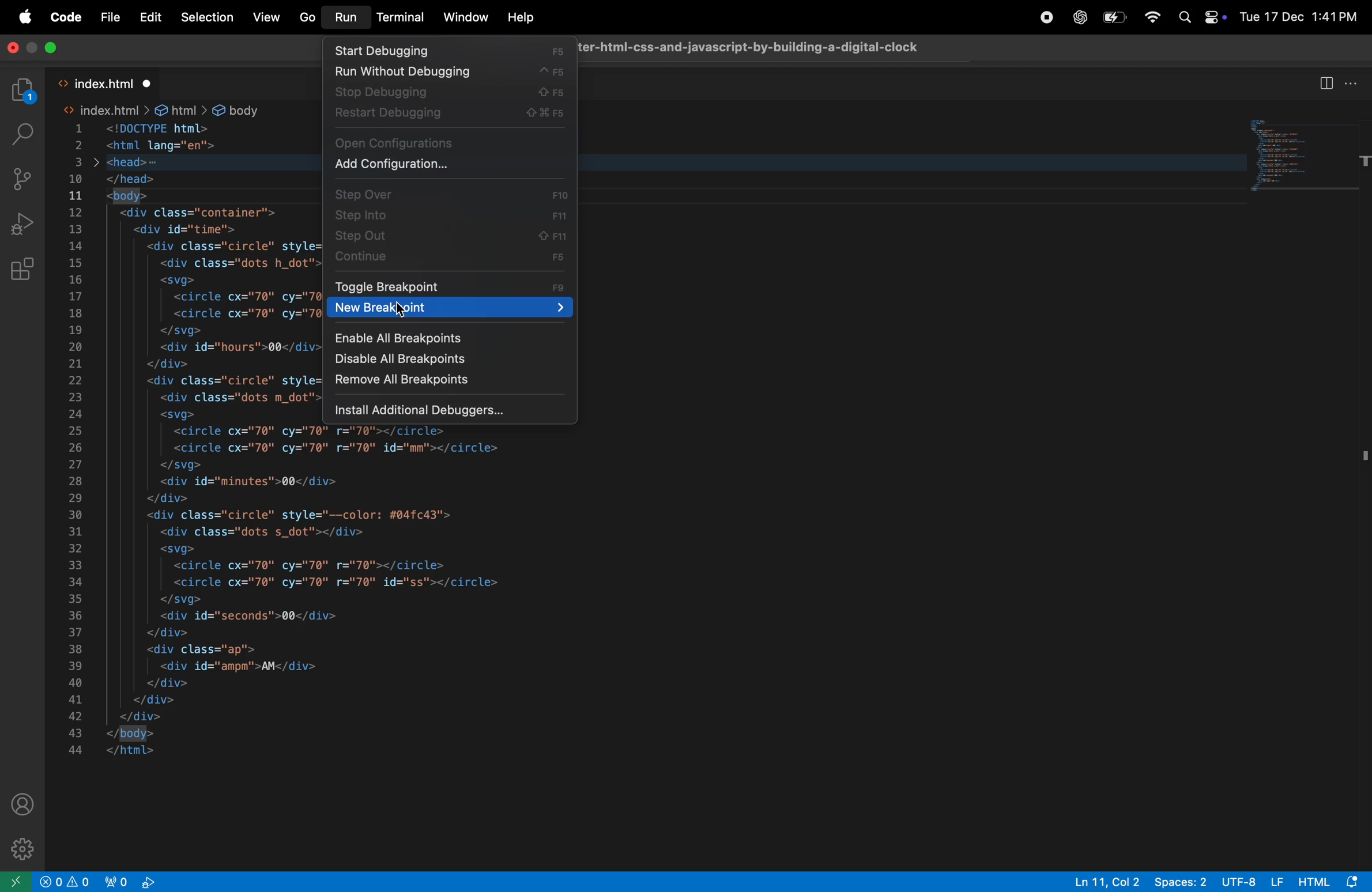 The height and width of the screenshot is (892, 1372). I want to click on 3 index.html — master-html-css-and-javascript-by-building-a-digital-clock, so click(752, 46).